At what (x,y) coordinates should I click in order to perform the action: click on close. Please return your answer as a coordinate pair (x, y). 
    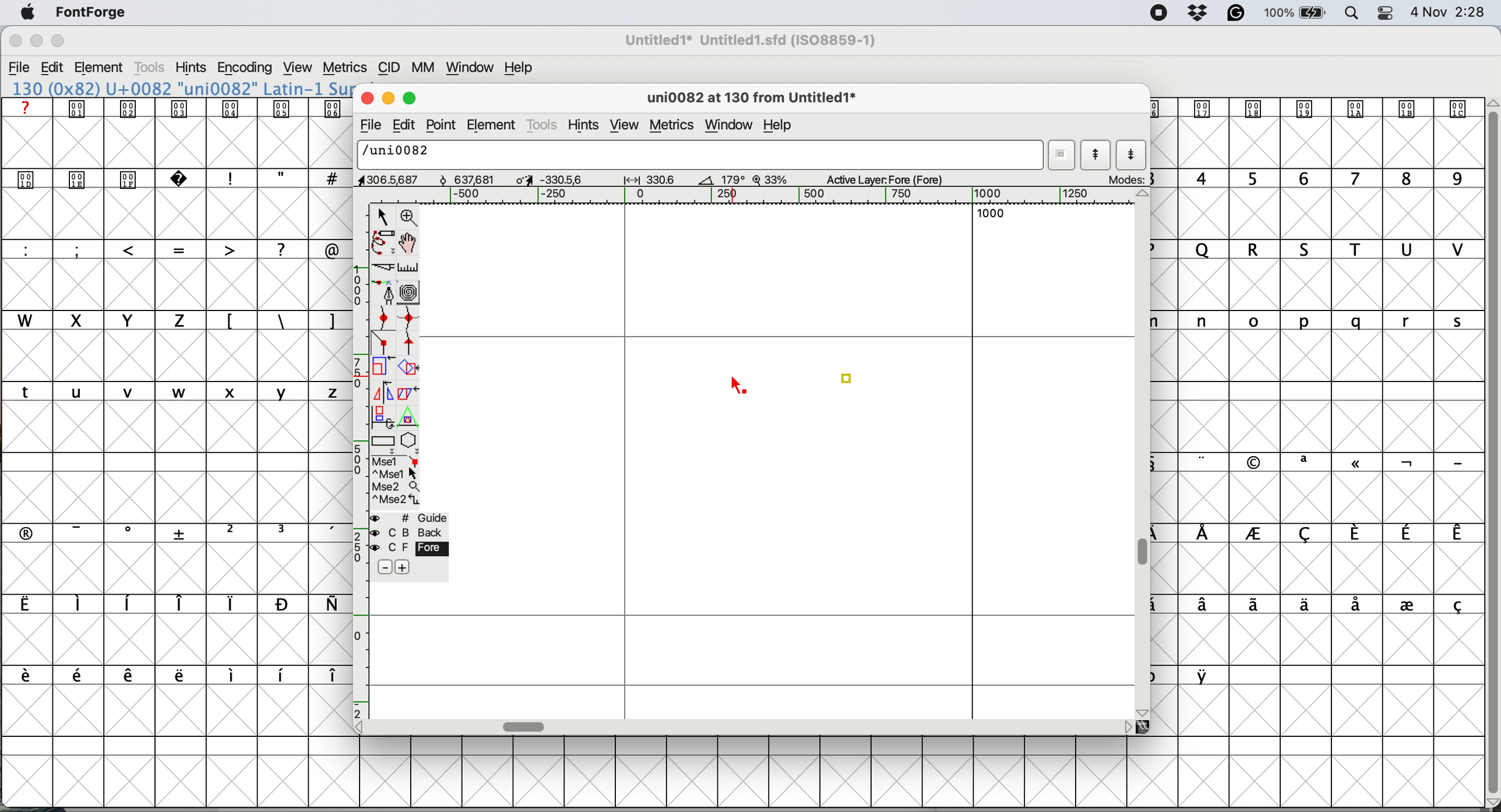
    Looking at the image, I should click on (365, 96).